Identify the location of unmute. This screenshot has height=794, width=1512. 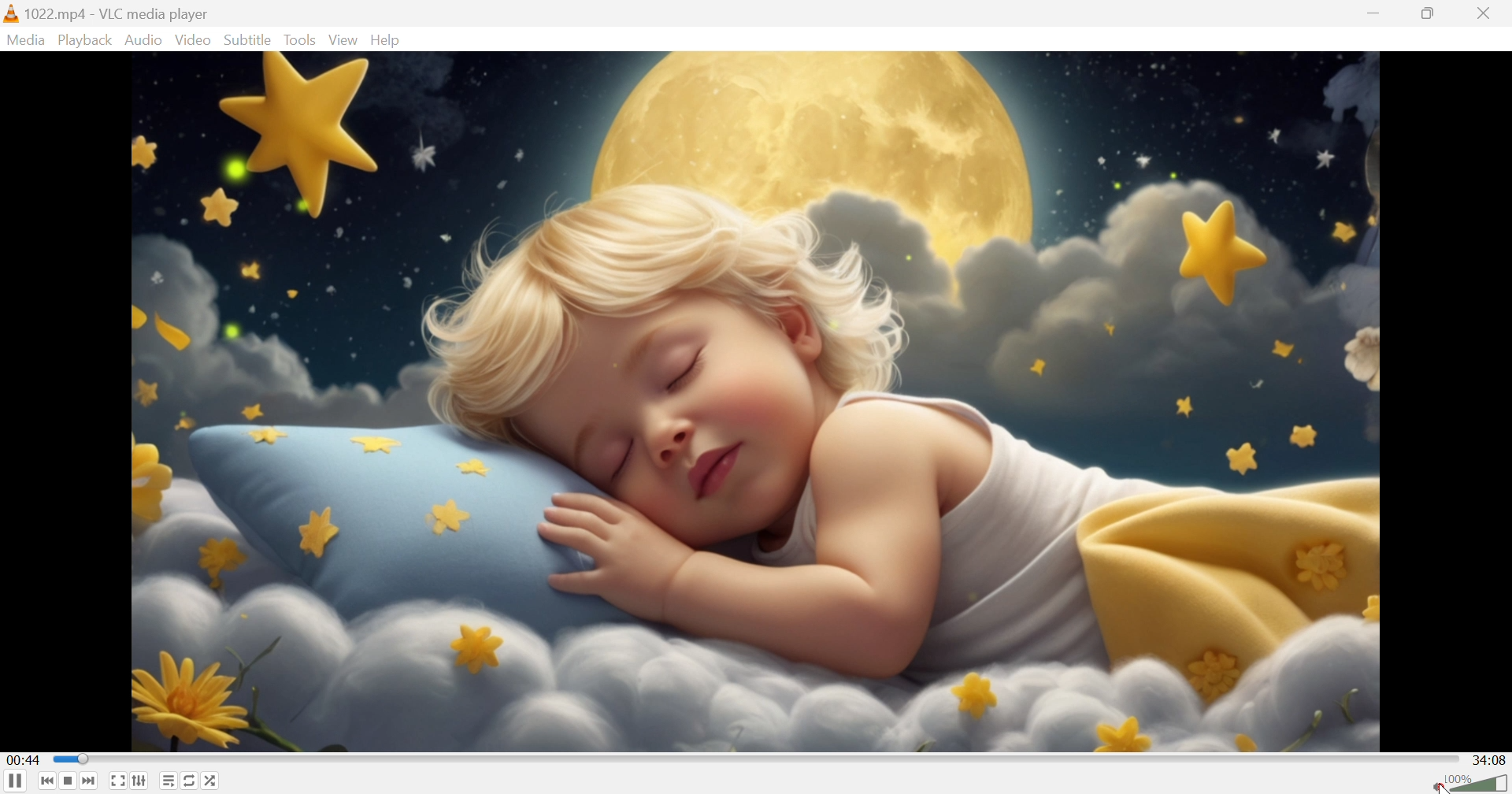
(1438, 785).